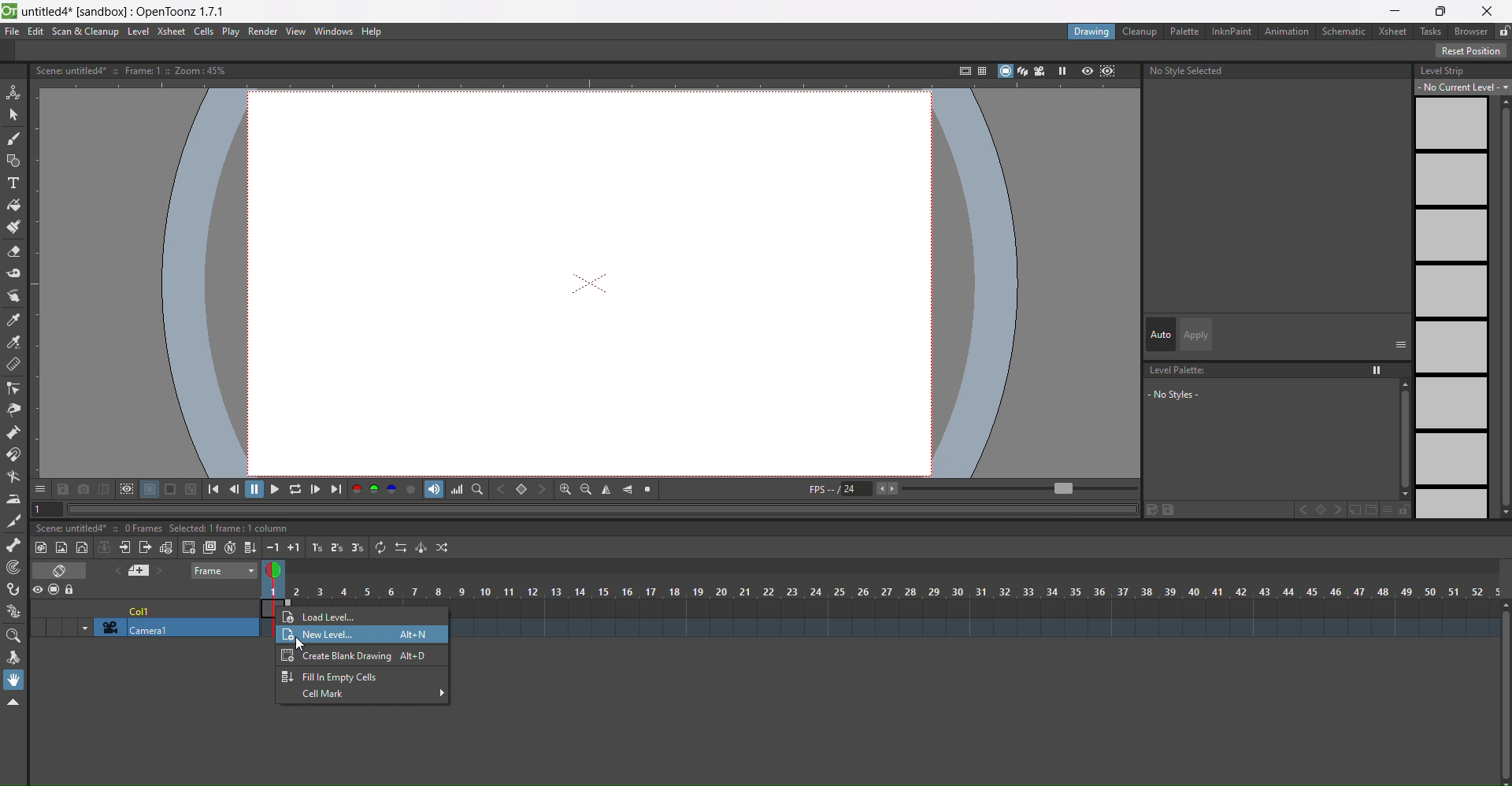 This screenshot has height=786, width=1512. Describe the element at coordinates (64, 488) in the screenshot. I see `tool` at that location.